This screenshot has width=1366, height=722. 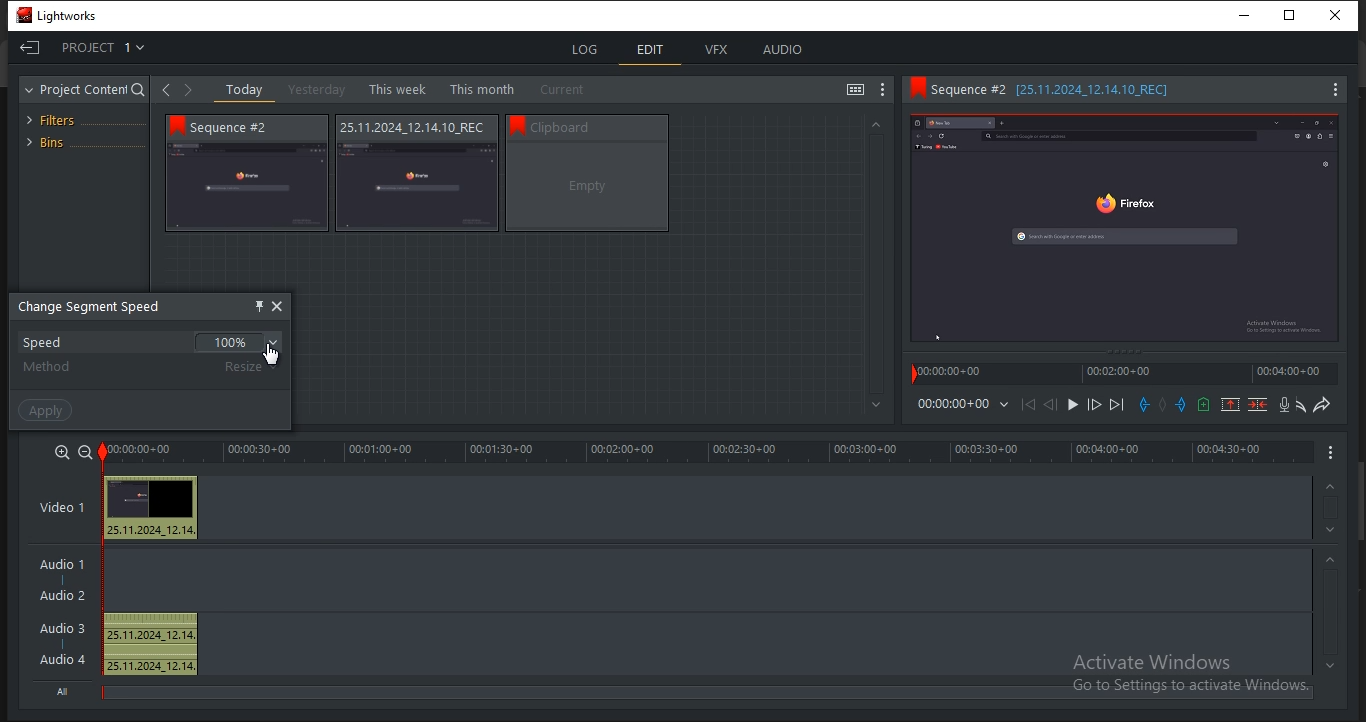 What do you see at coordinates (419, 187) in the screenshot?
I see `video thumbnail` at bounding box center [419, 187].